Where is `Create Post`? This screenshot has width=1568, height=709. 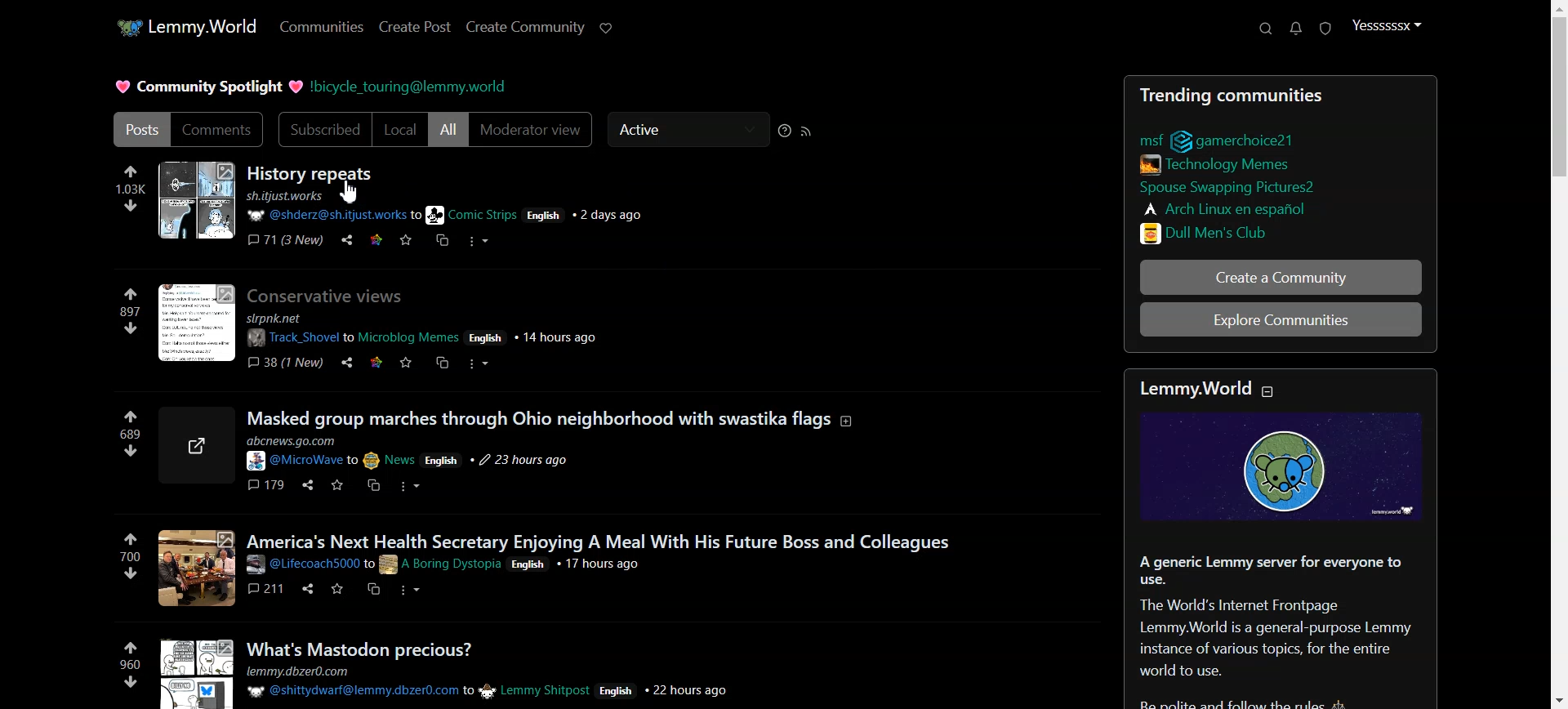 Create Post is located at coordinates (414, 27).